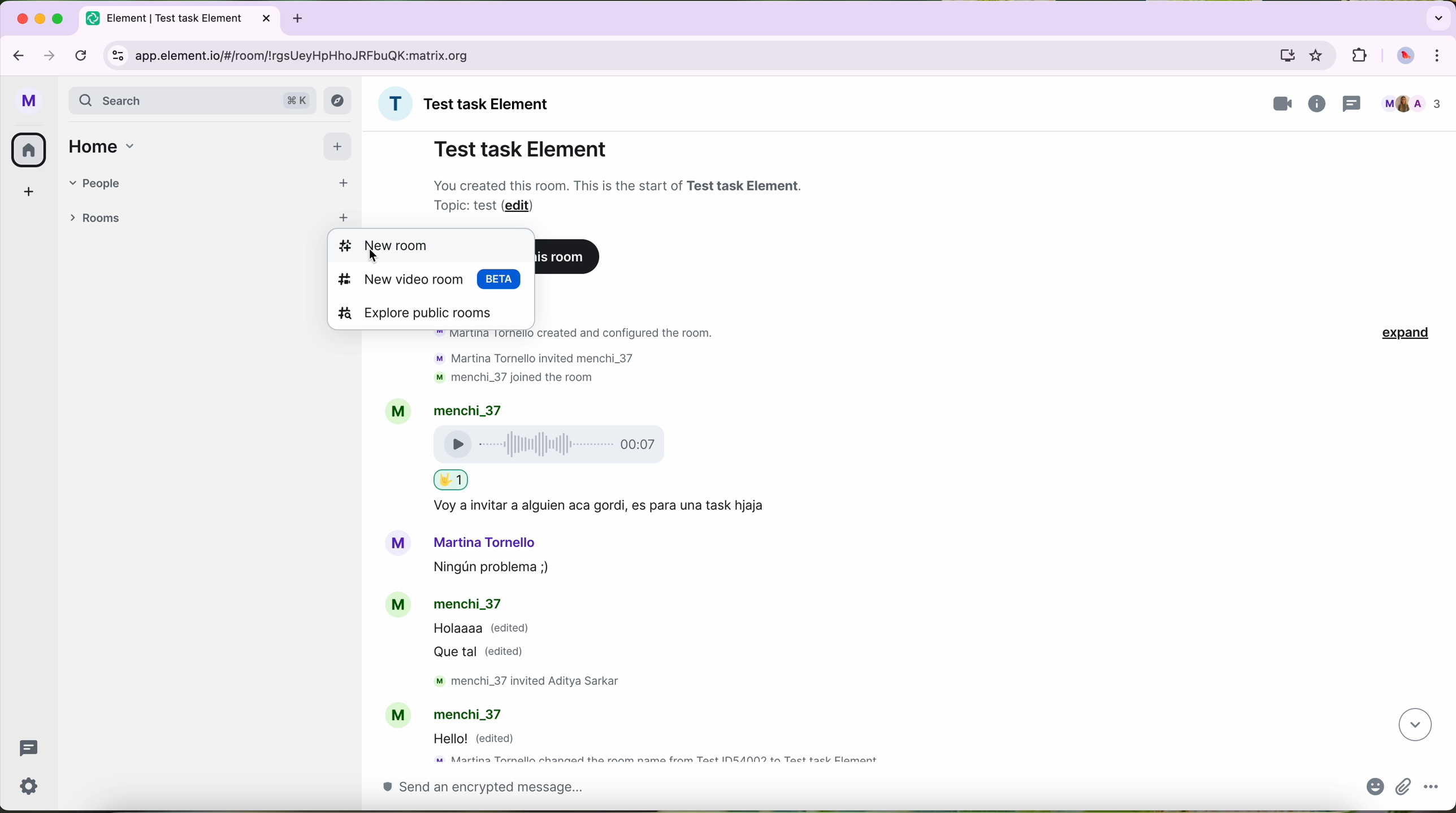 The height and width of the screenshot is (813, 1456). I want to click on voice message, so click(625, 445).